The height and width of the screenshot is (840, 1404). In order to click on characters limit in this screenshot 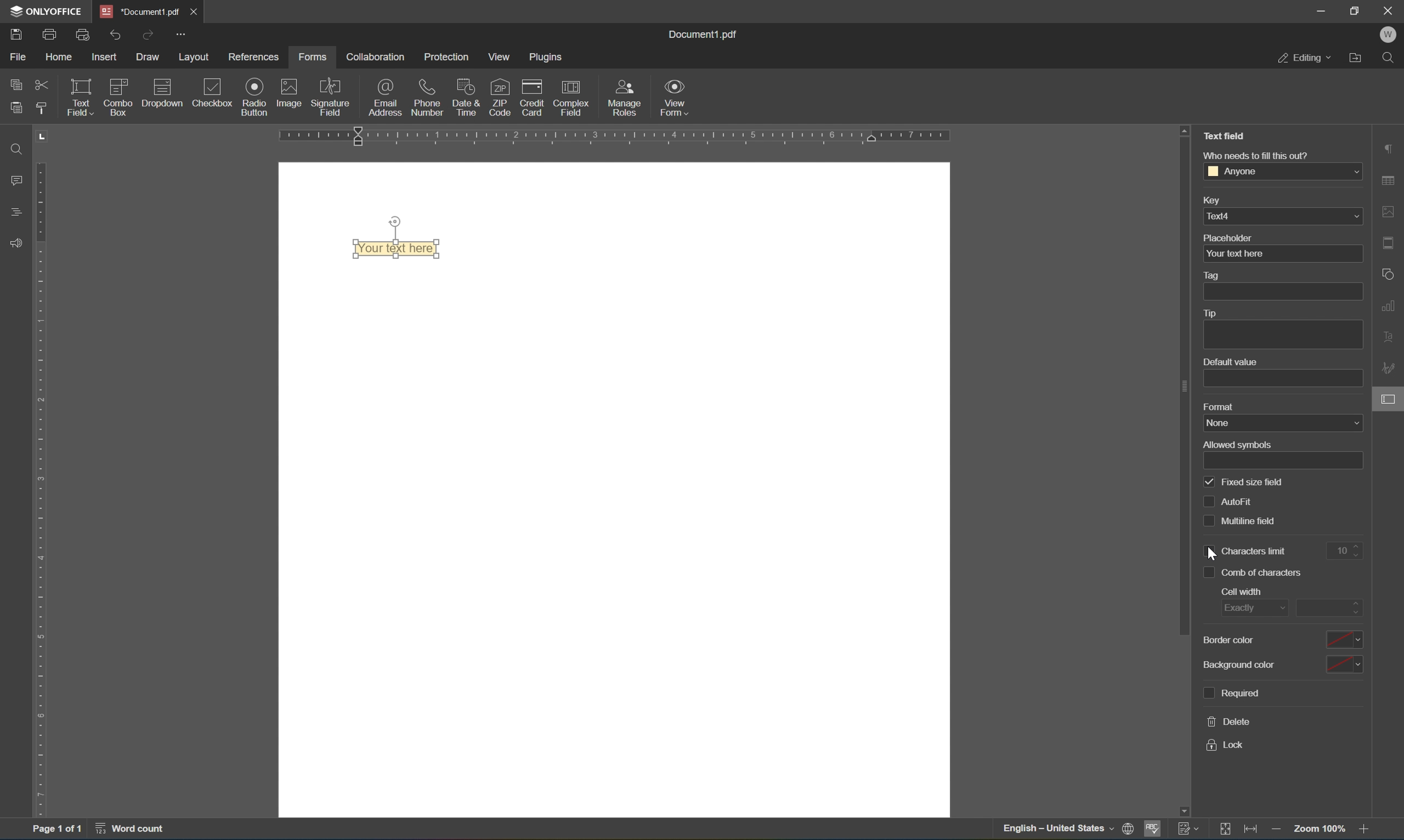, I will do `click(1256, 551)`.